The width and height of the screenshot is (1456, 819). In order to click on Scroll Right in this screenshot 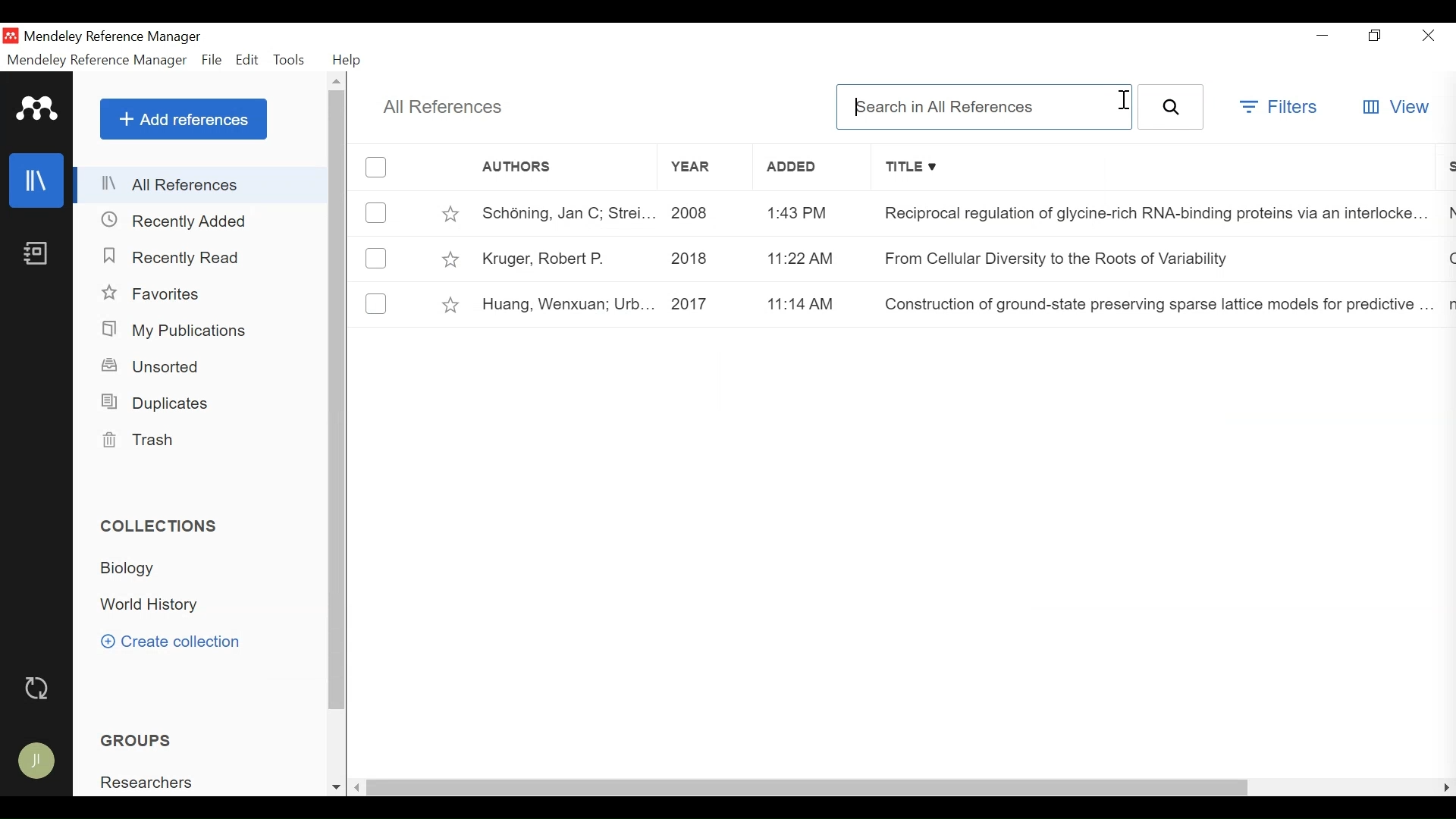, I will do `click(1445, 787)`.